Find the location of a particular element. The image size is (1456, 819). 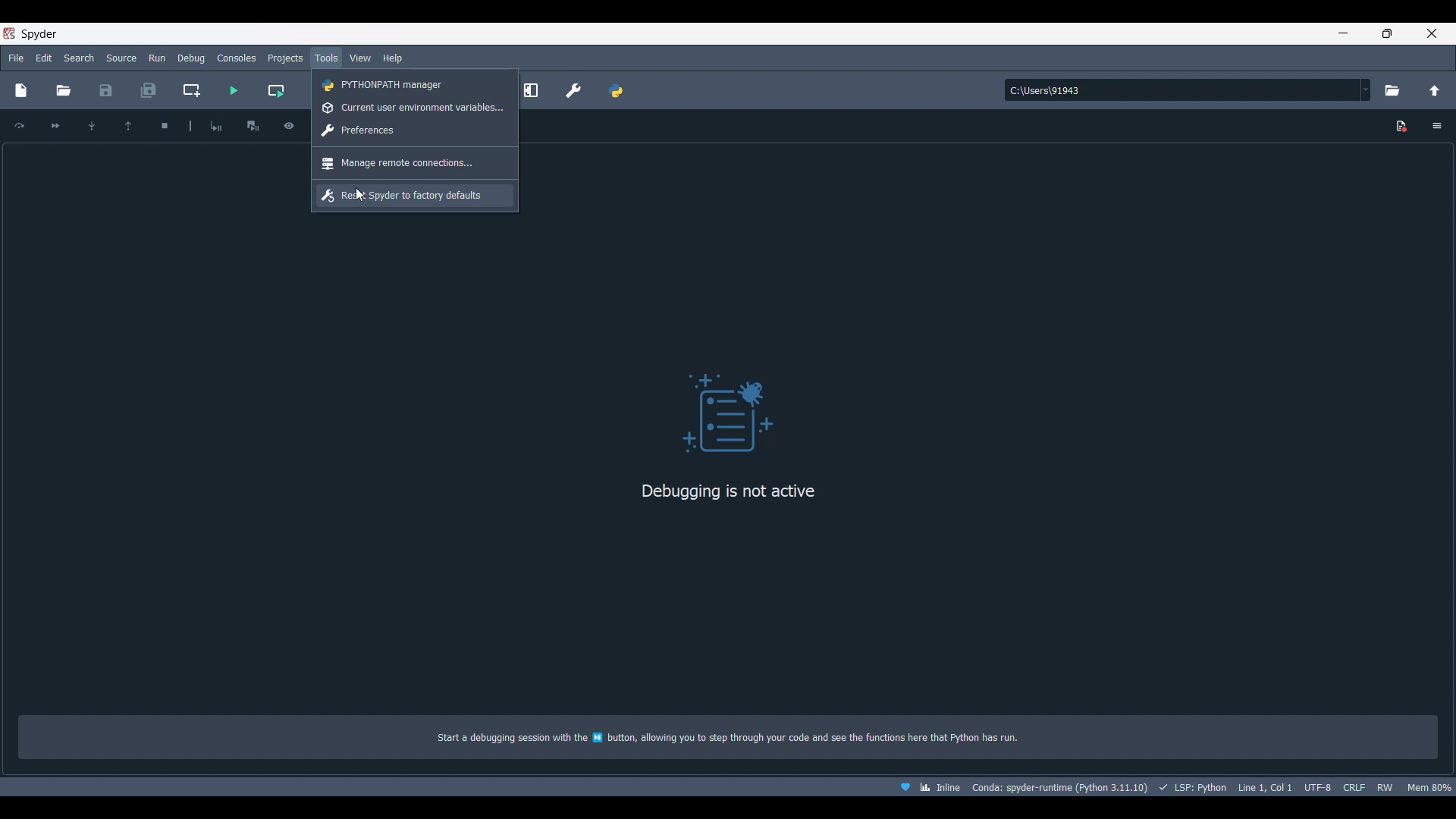

File menu is located at coordinates (17, 57).